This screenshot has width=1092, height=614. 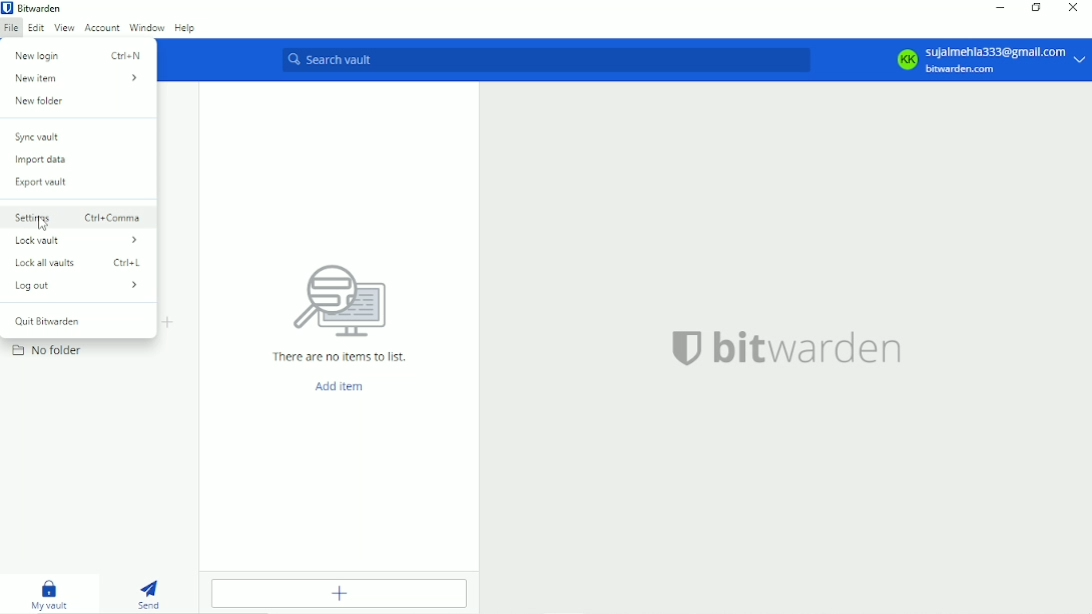 I want to click on Lock all vaults, so click(x=81, y=262).